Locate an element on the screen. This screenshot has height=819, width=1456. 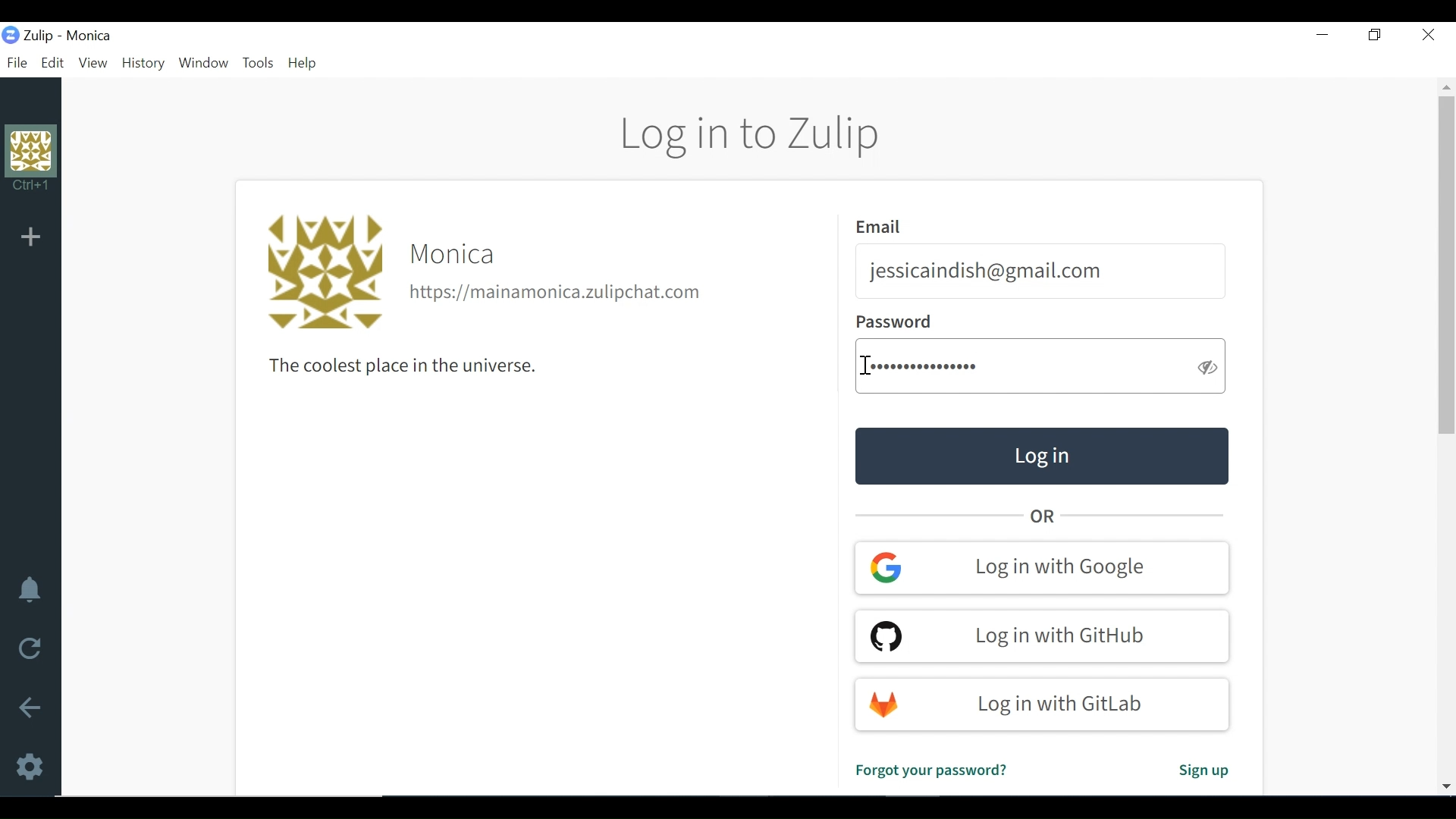
Scroll up is located at coordinates (1447, 86).